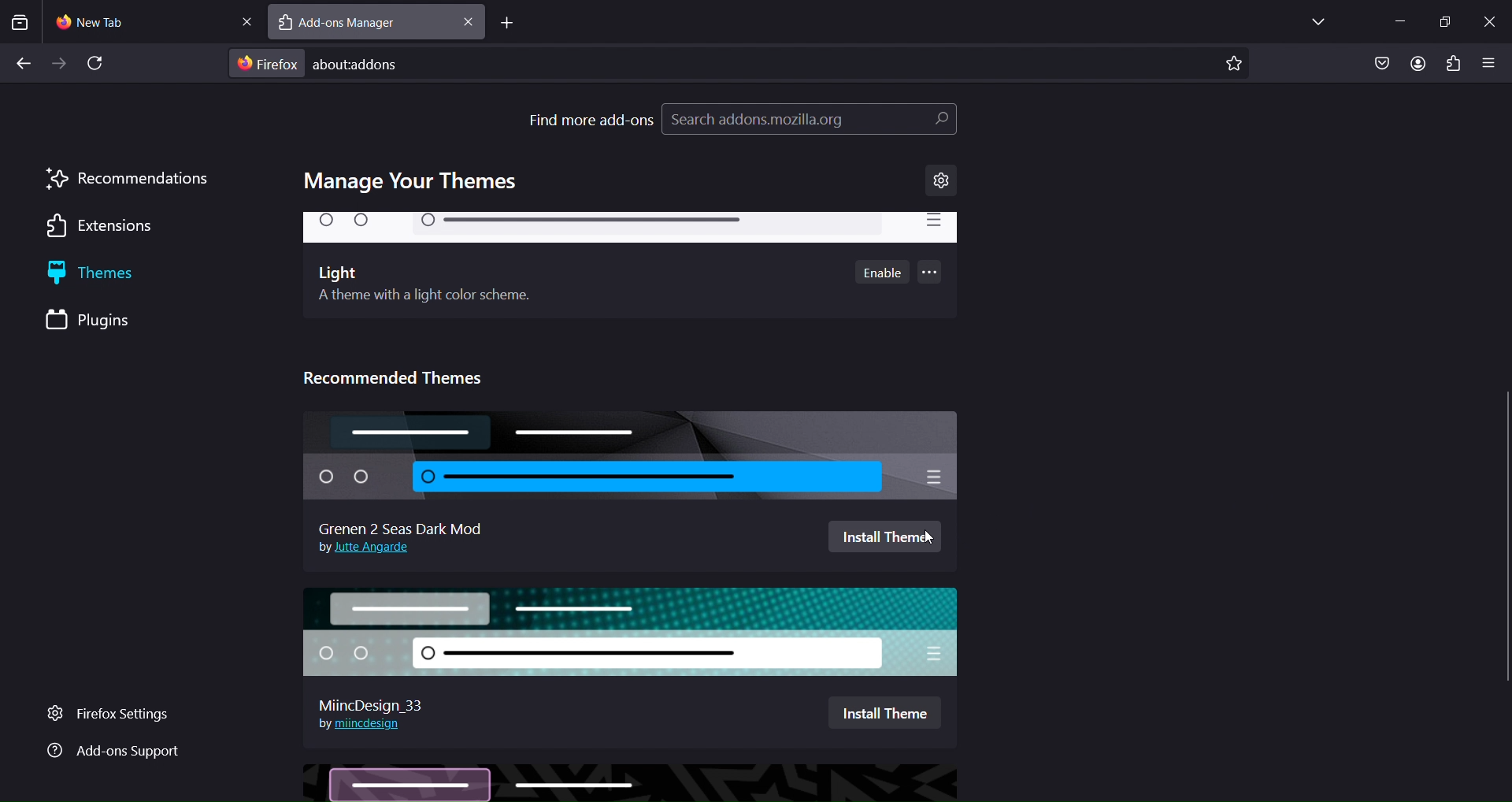 The height and width of the screenshot is (802, 1512). What do you see at coordinates (1395, 22) in the screenshot?
I see `minimize` at bounding box center [1395, 22].